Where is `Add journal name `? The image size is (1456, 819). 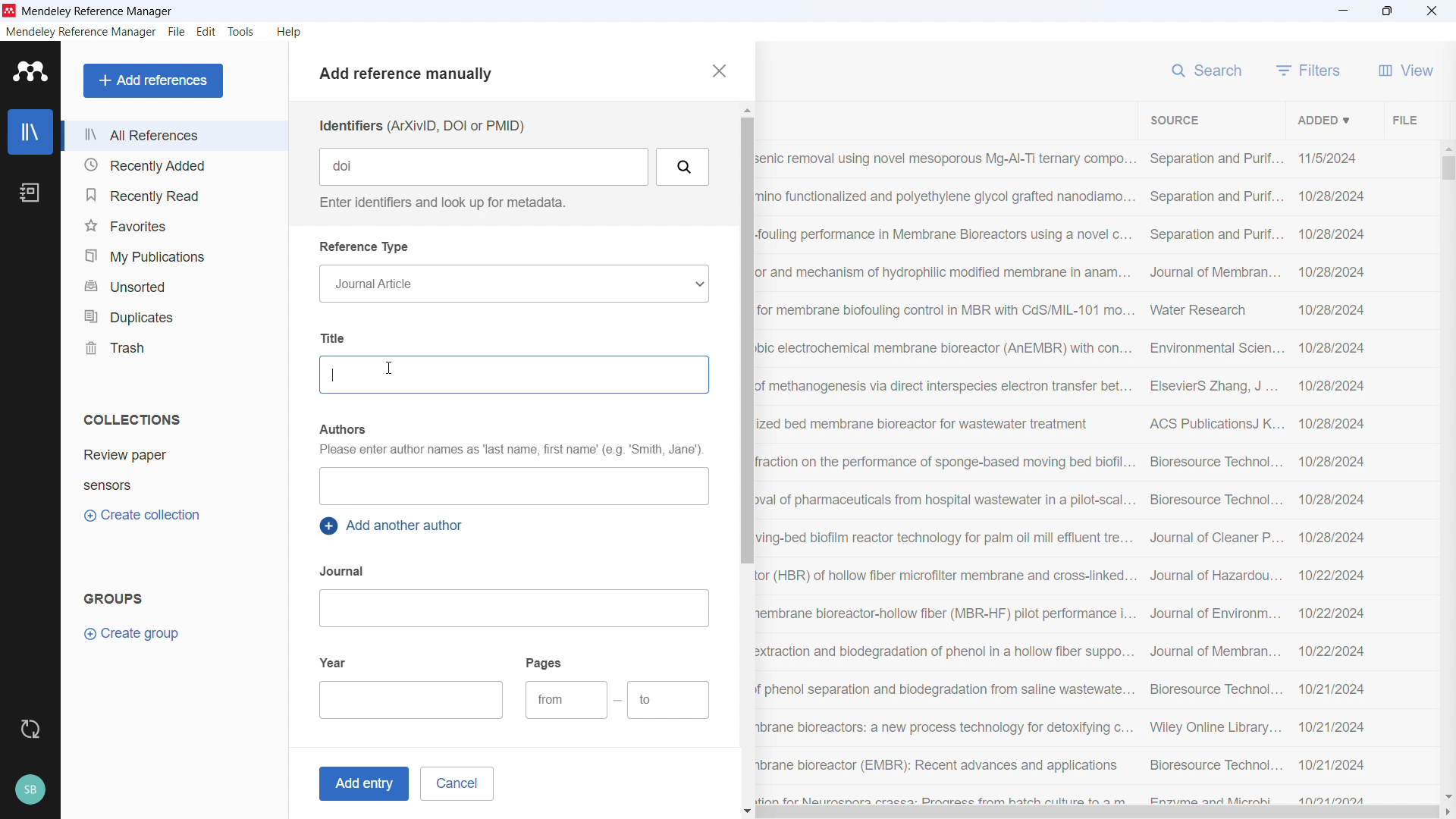
Add journal name  is located at coordinates (513, 608).